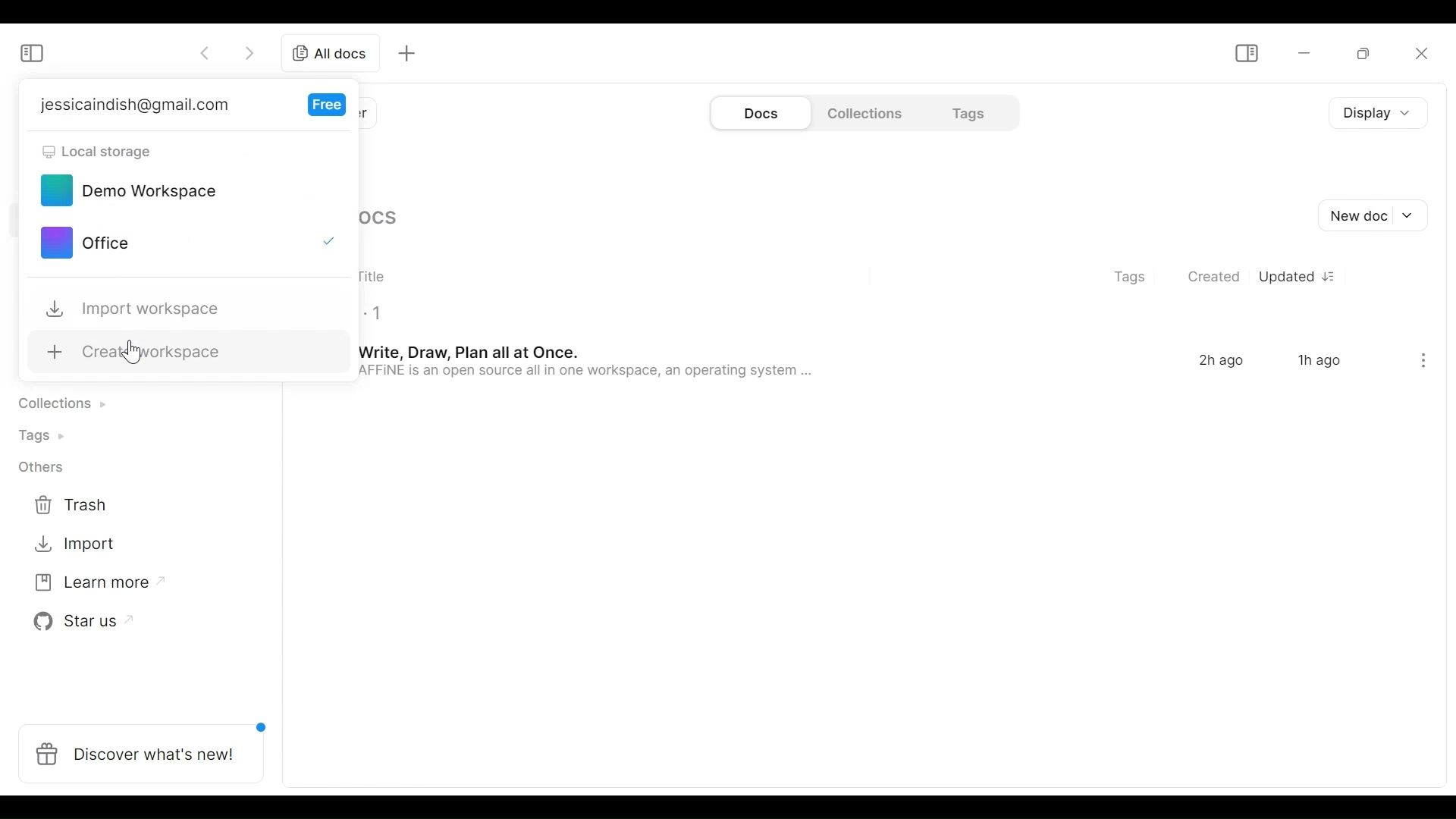 The height and width of the screenshot is (819, 1456). What do you see at coordinates (862, 114) in the screenshot?
I see `Collections` at bounding box center [862, 114].